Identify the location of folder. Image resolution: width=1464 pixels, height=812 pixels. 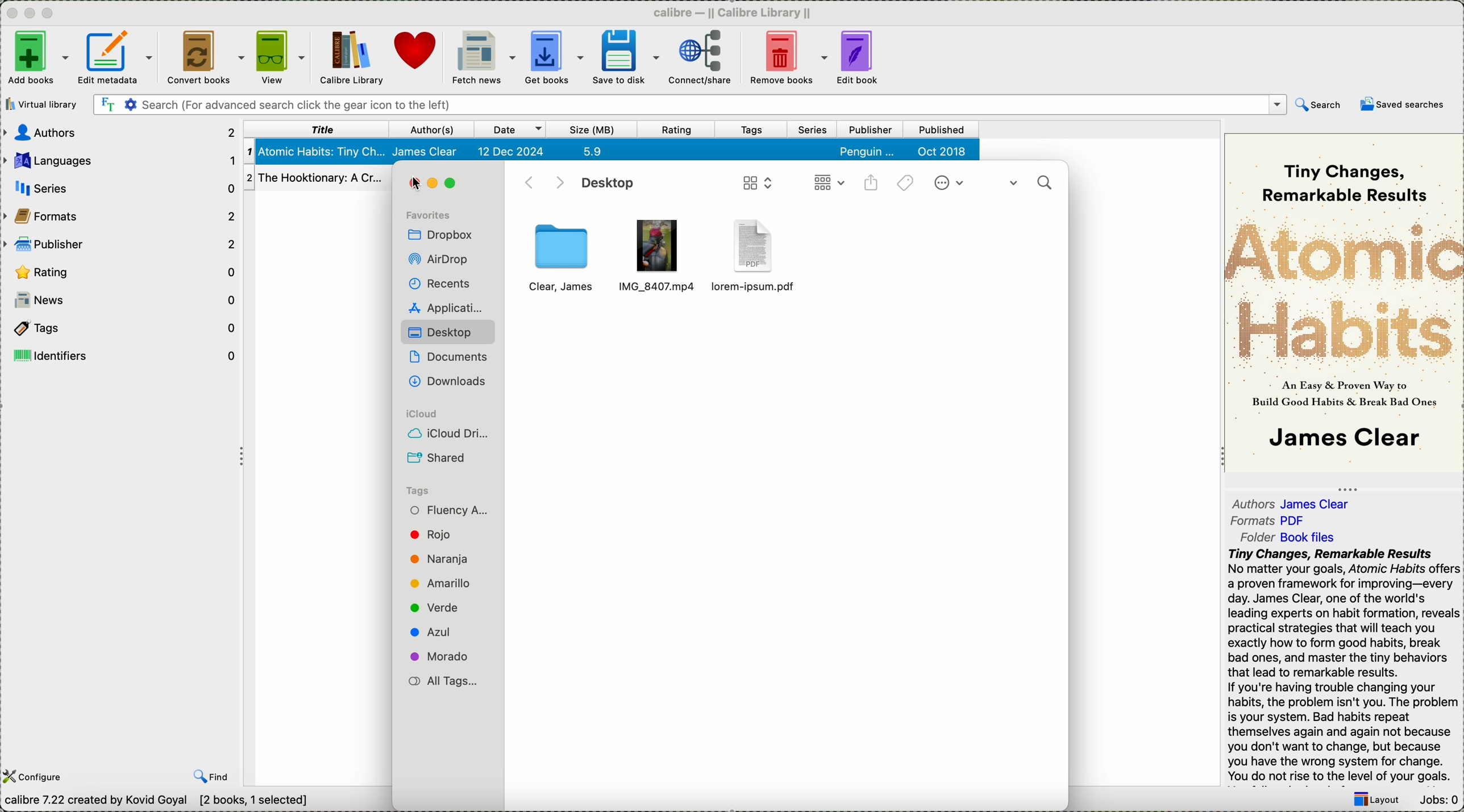
(1291, 538).